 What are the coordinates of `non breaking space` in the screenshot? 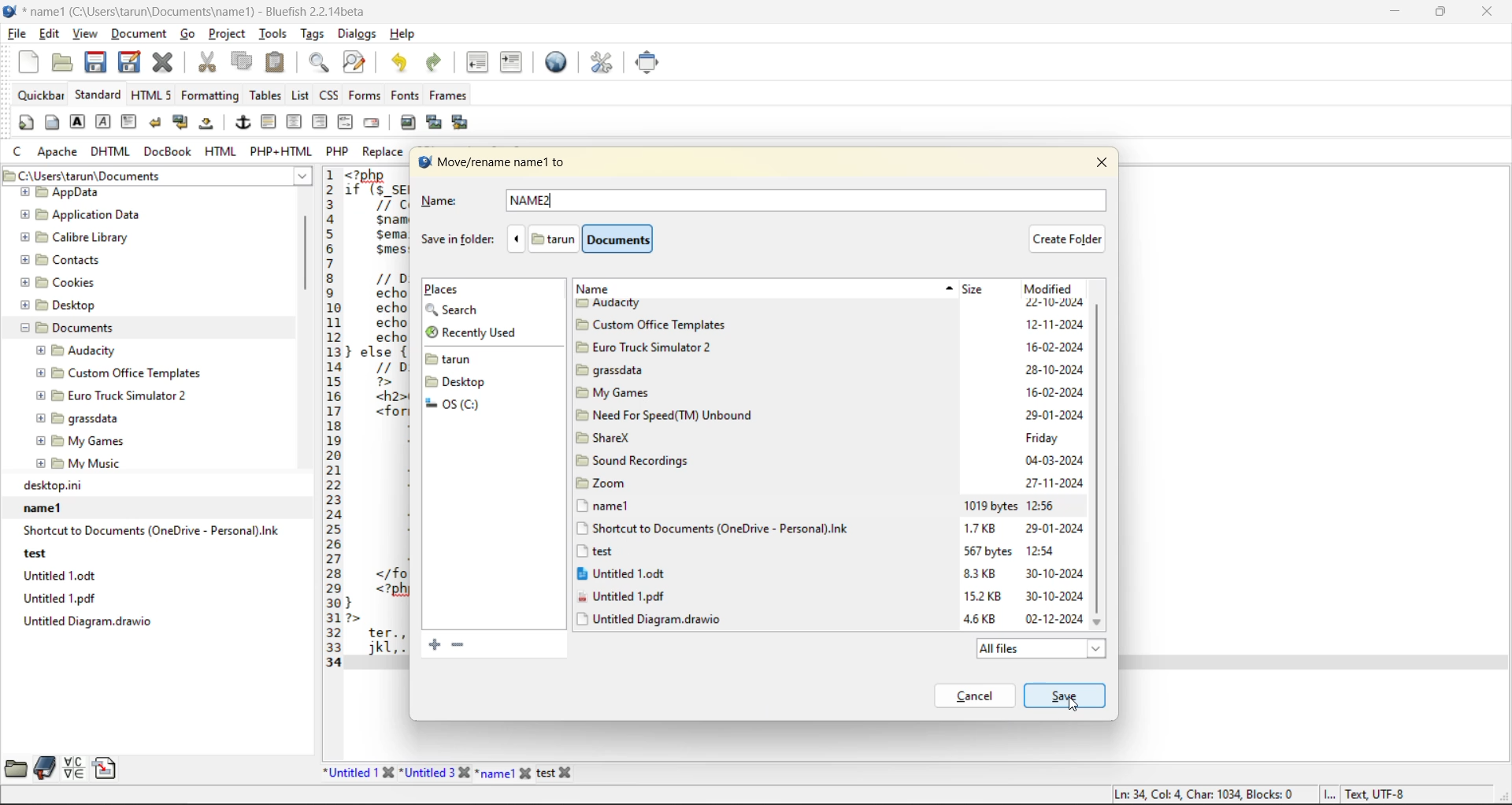 It's located at (210, 124).